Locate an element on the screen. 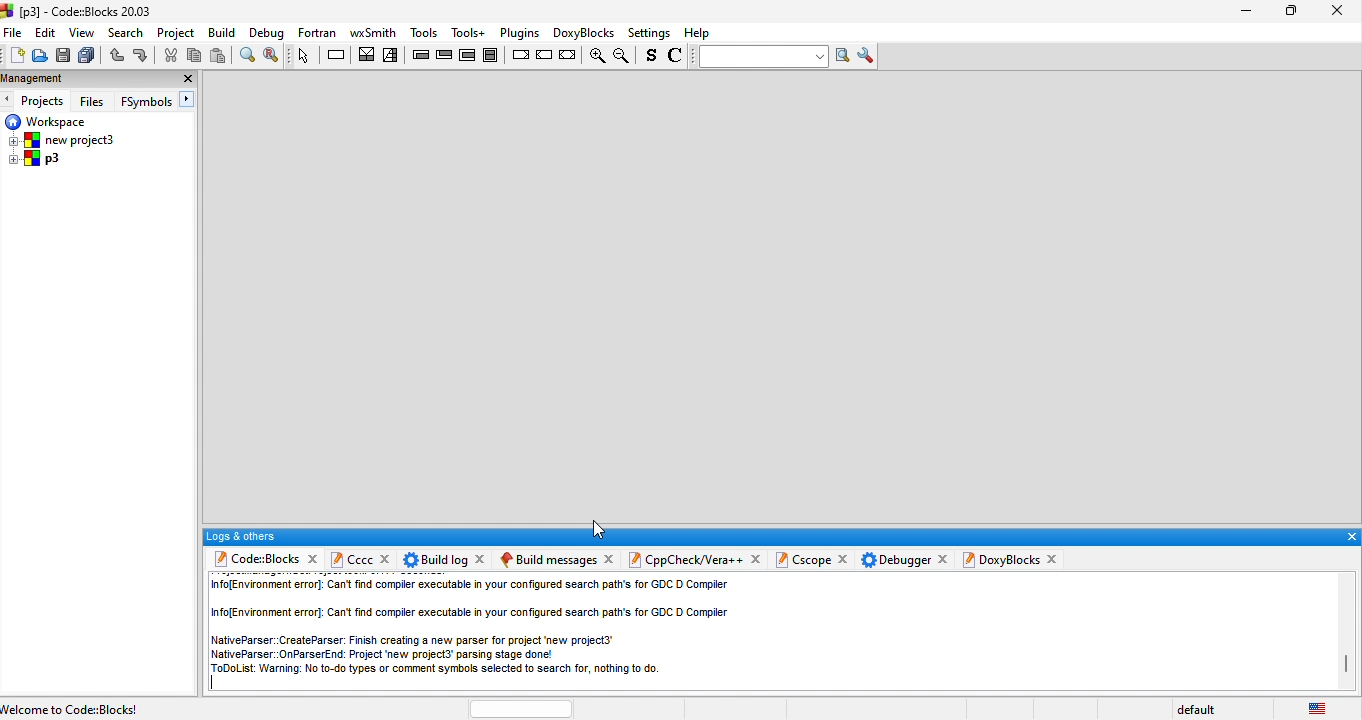 The width and height of the screenshot is (1362, 720). close is located at coordinates (386, 557).